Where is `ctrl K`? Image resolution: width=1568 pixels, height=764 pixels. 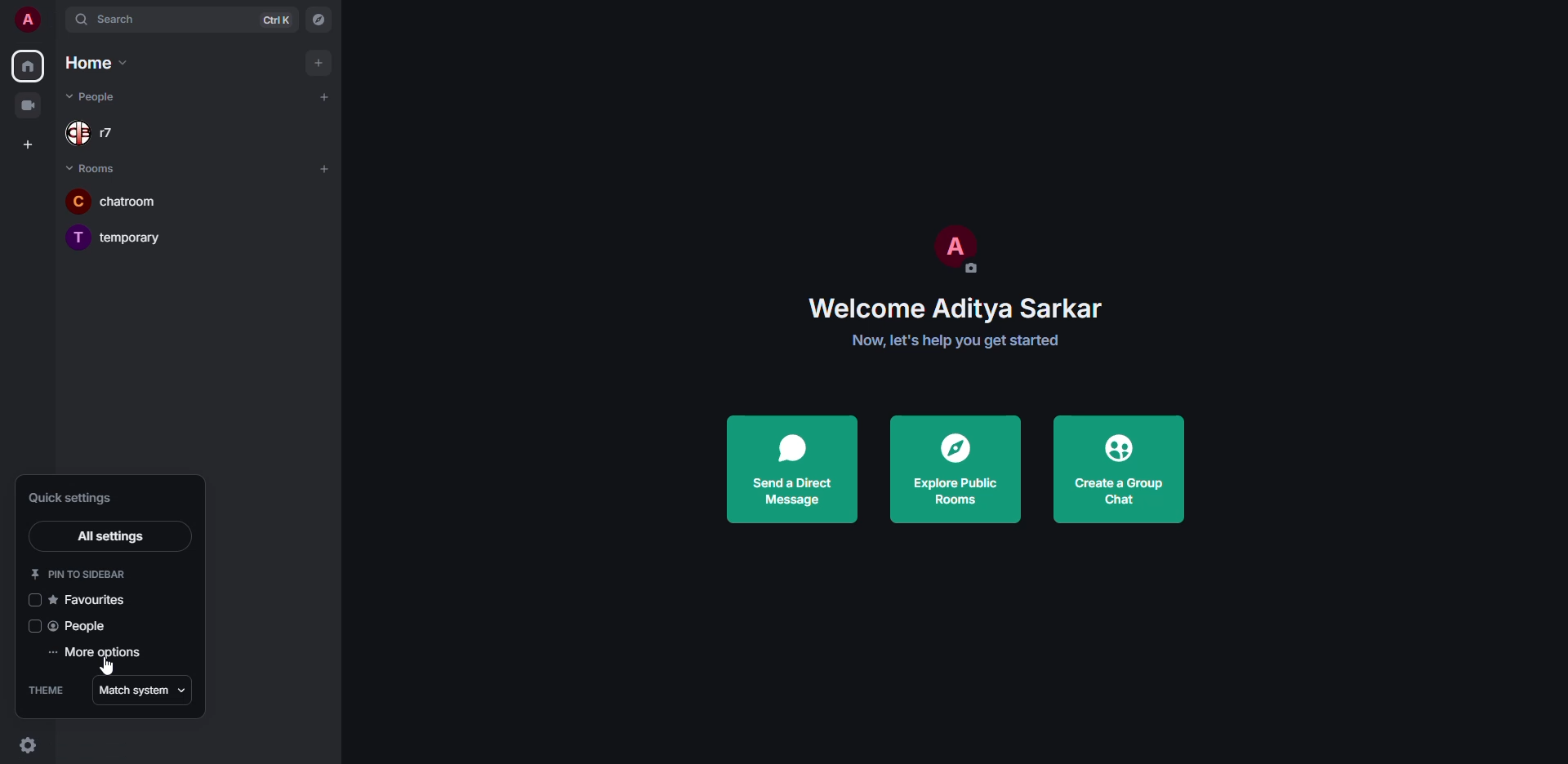 ctrl K is located at coordinates (275, 20).